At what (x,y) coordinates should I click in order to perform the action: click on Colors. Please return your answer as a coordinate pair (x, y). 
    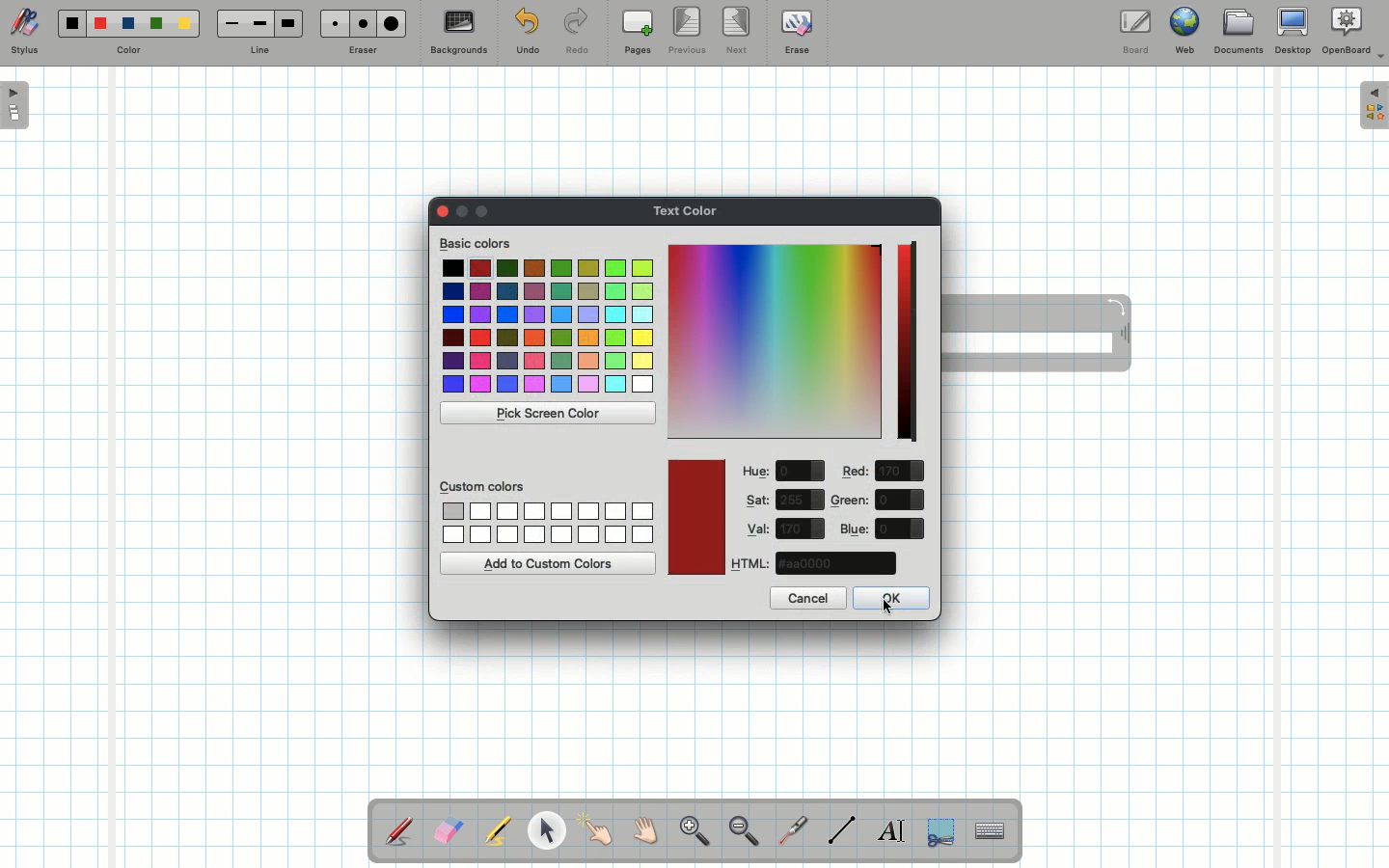
    Looking at the image, I should click on (548, 328).